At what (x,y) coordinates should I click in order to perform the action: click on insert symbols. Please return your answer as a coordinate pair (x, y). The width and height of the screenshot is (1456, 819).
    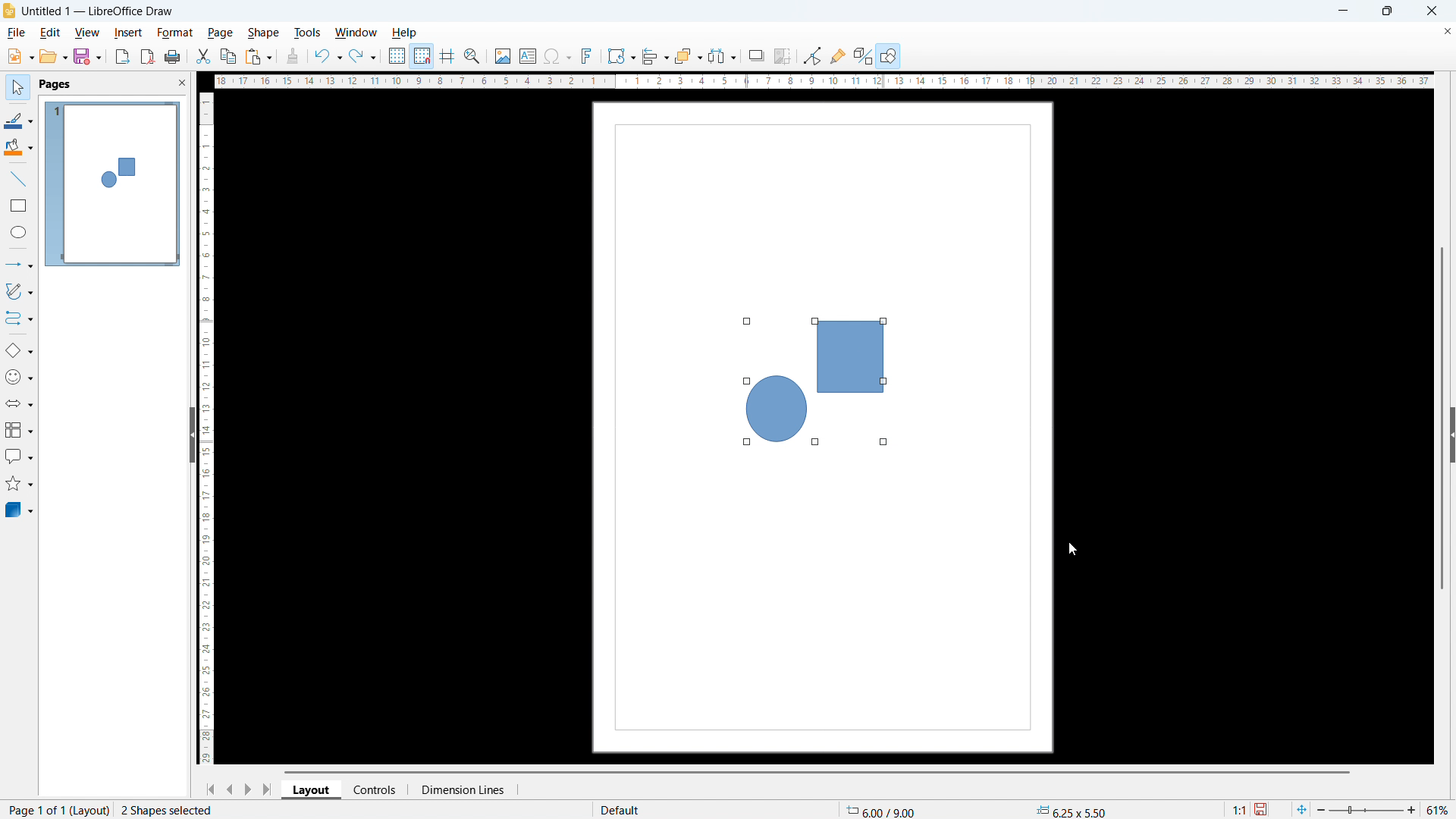
    Looking at the image, I should click on (557, 57).